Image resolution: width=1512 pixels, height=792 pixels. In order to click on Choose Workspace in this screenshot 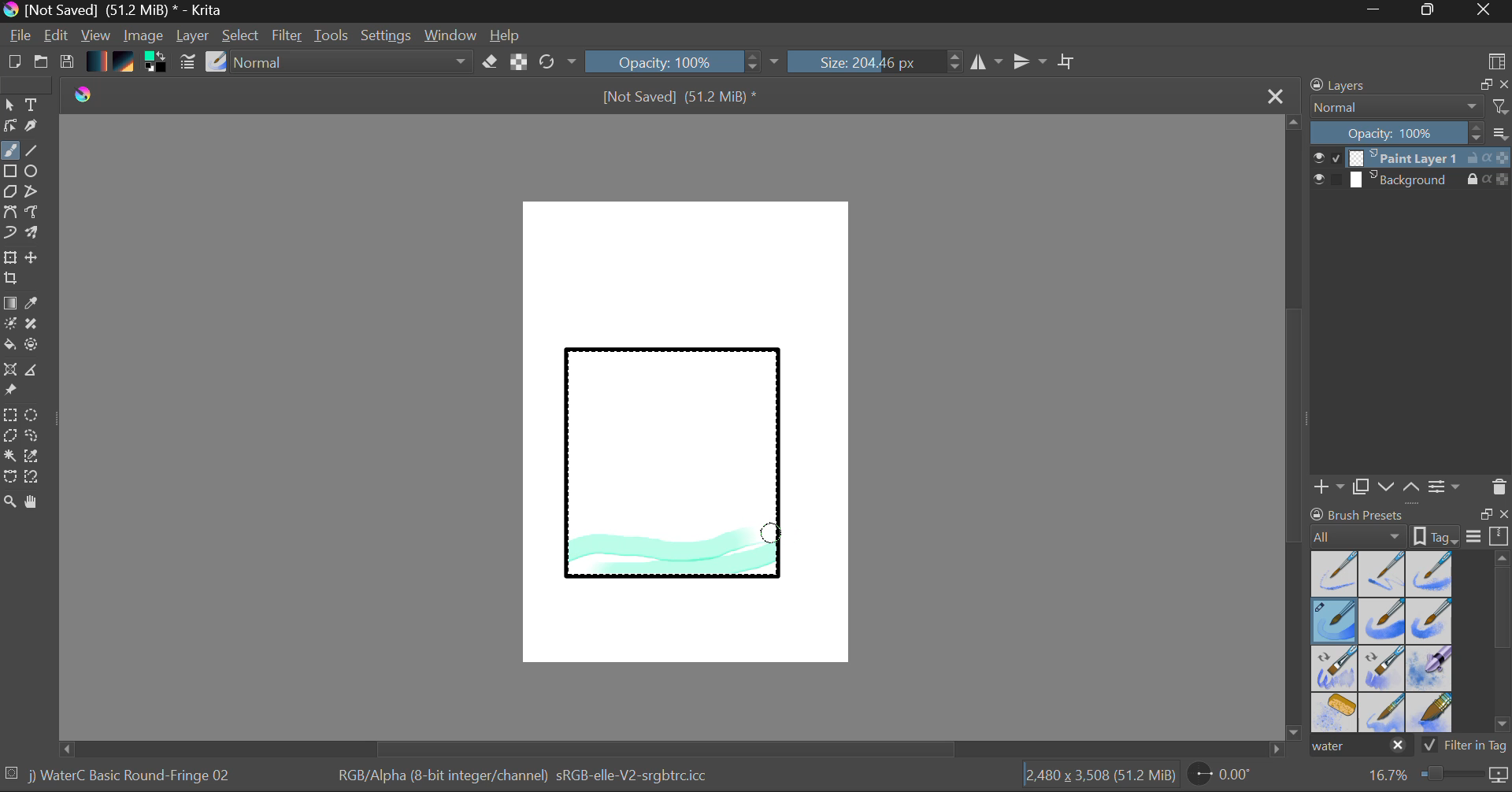, I will do `click(1496, 60)`.